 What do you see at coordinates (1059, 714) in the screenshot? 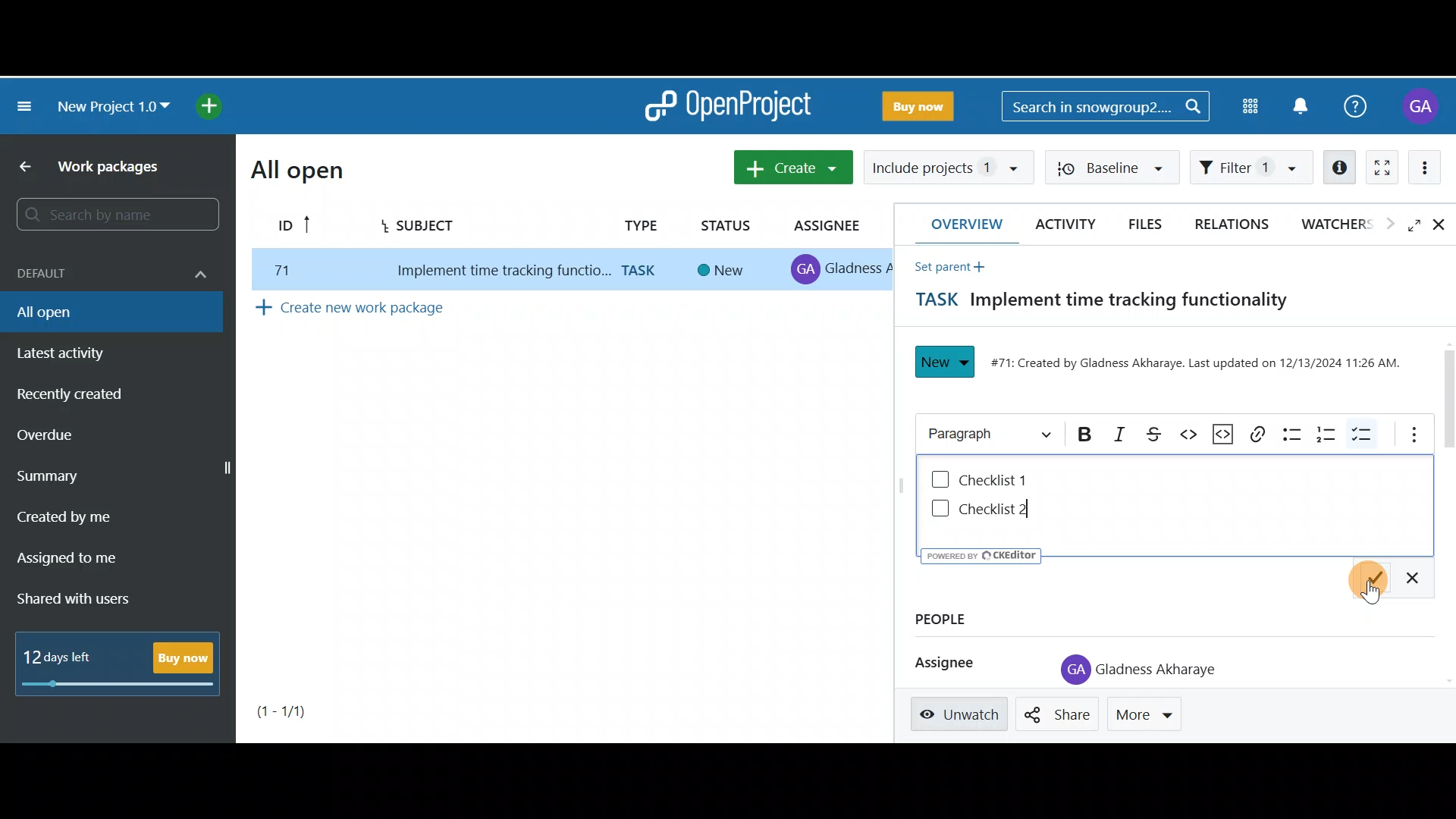
I see `Share` at bounding box center [1059, 714].